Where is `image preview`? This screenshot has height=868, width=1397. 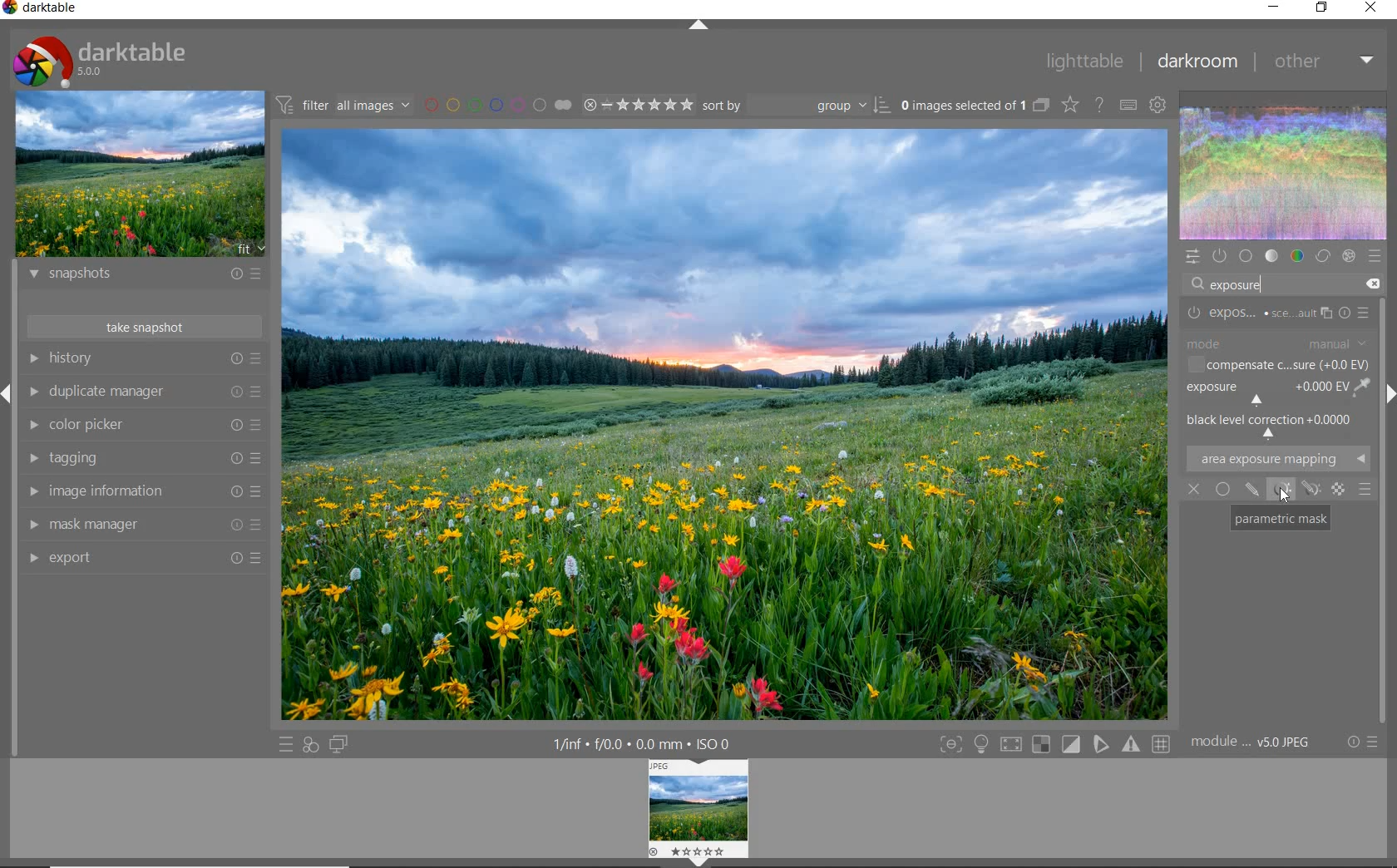 image preview is located at coordinates (141, 175).